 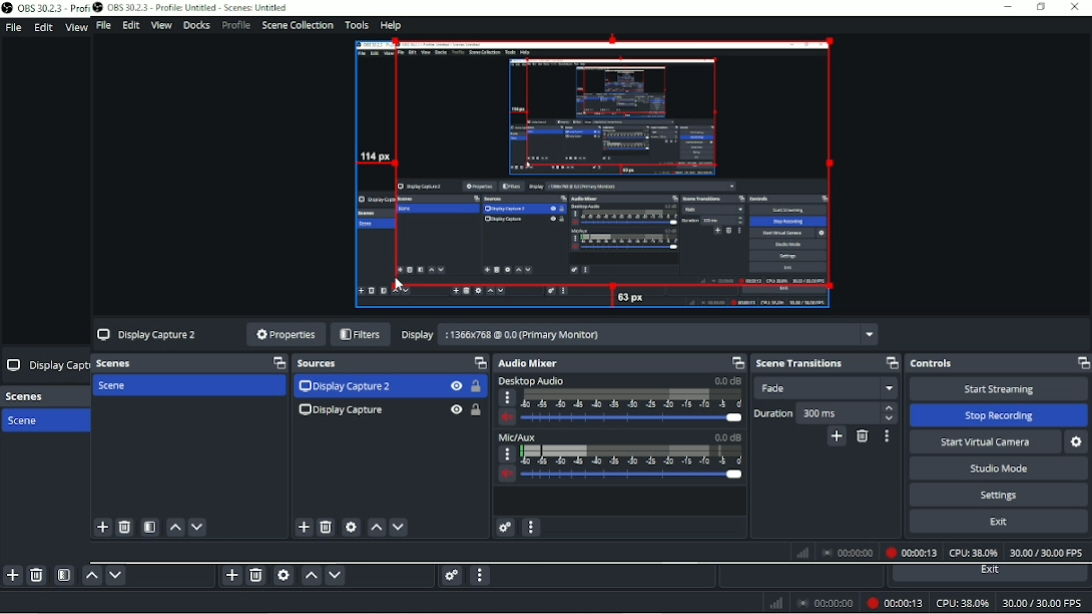 I want to click on settings, so click(x=353, y=530).